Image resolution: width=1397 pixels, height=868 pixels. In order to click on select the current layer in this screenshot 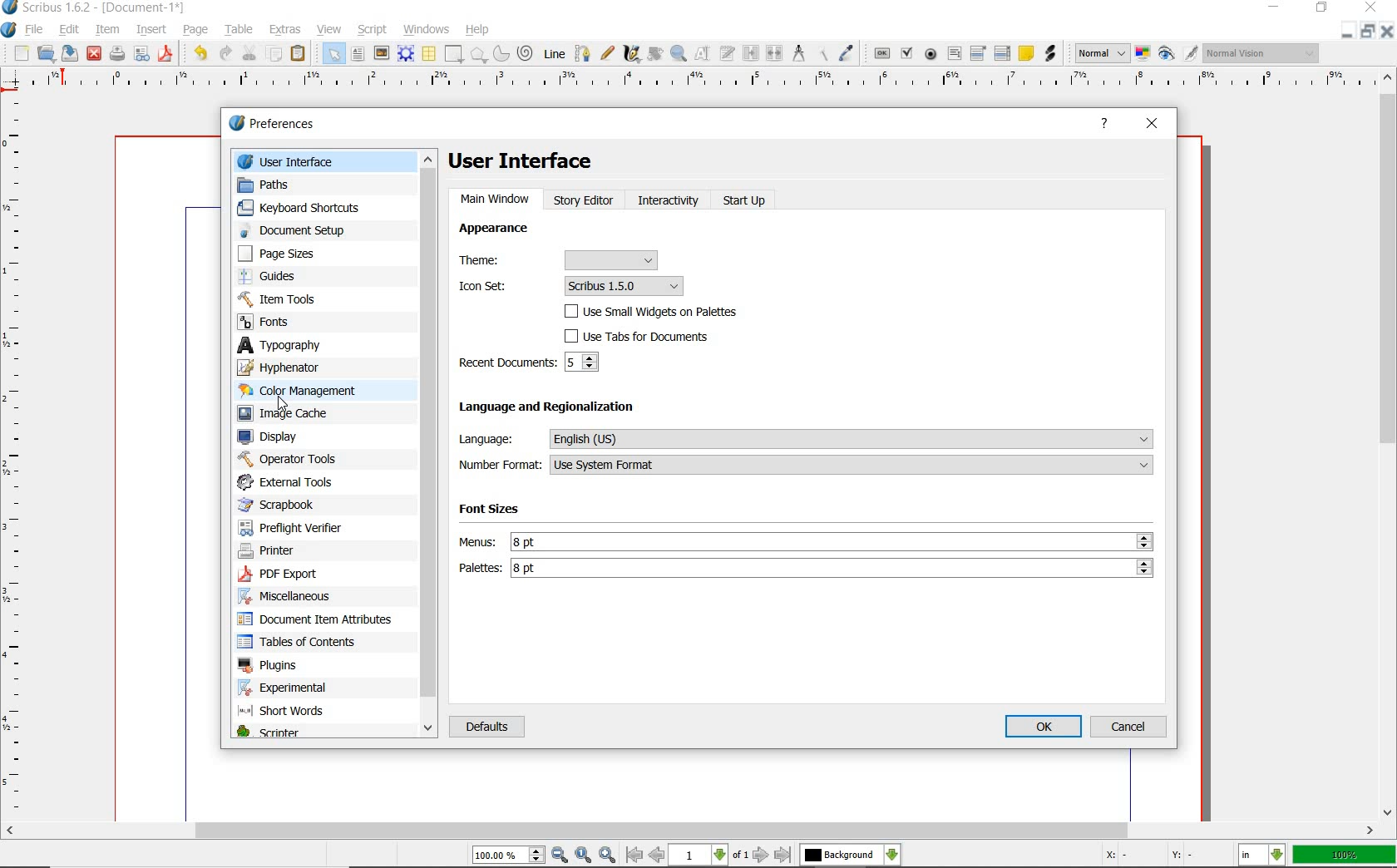, I will do `click(850, 855)`.